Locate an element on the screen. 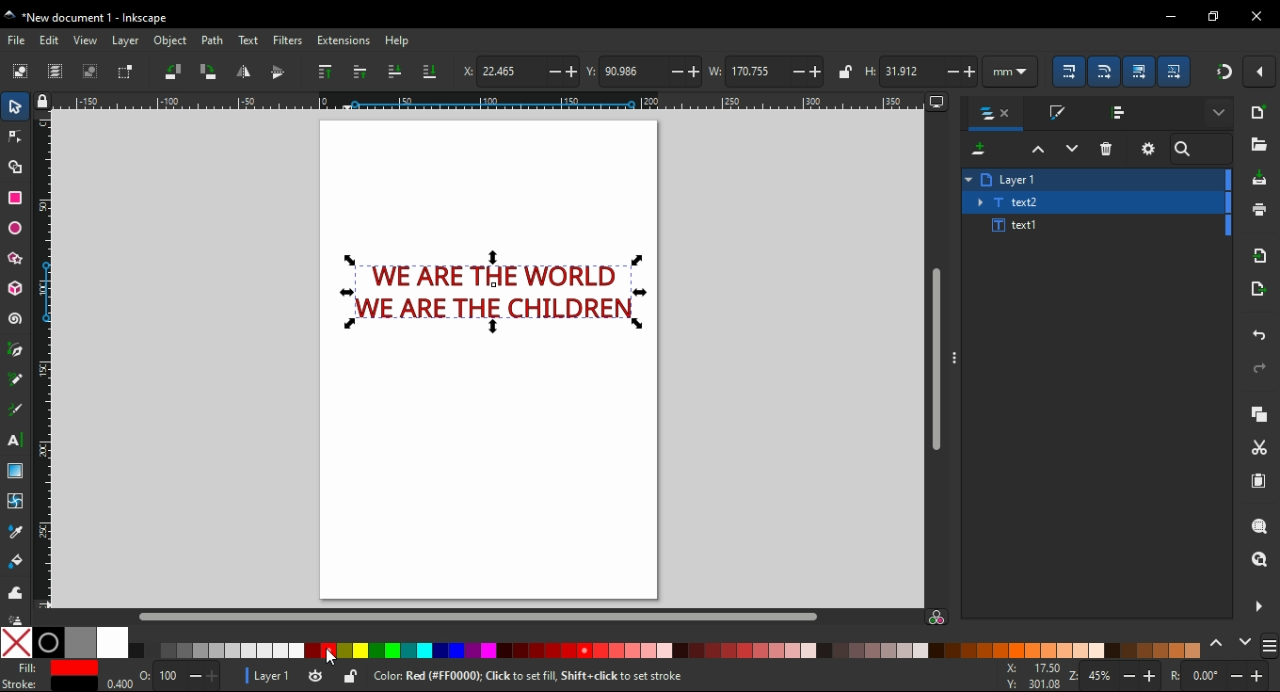  mesh tool is located at coordinates (19, 499).